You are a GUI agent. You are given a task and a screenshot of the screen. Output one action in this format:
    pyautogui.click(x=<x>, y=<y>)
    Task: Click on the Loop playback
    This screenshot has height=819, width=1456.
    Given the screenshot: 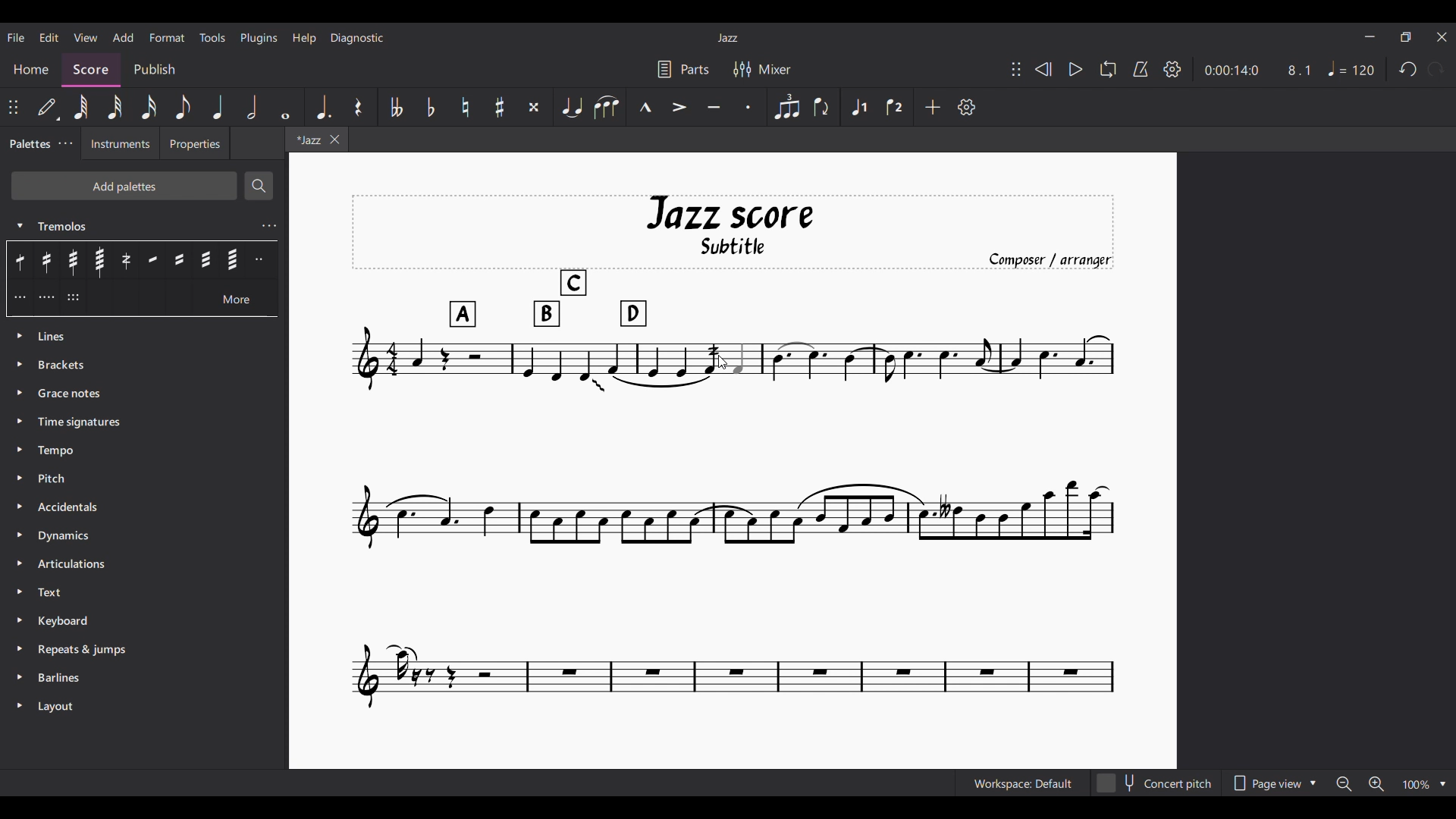 What is the action you would take?
    pyautogui.click(x=1108, y=69)
    